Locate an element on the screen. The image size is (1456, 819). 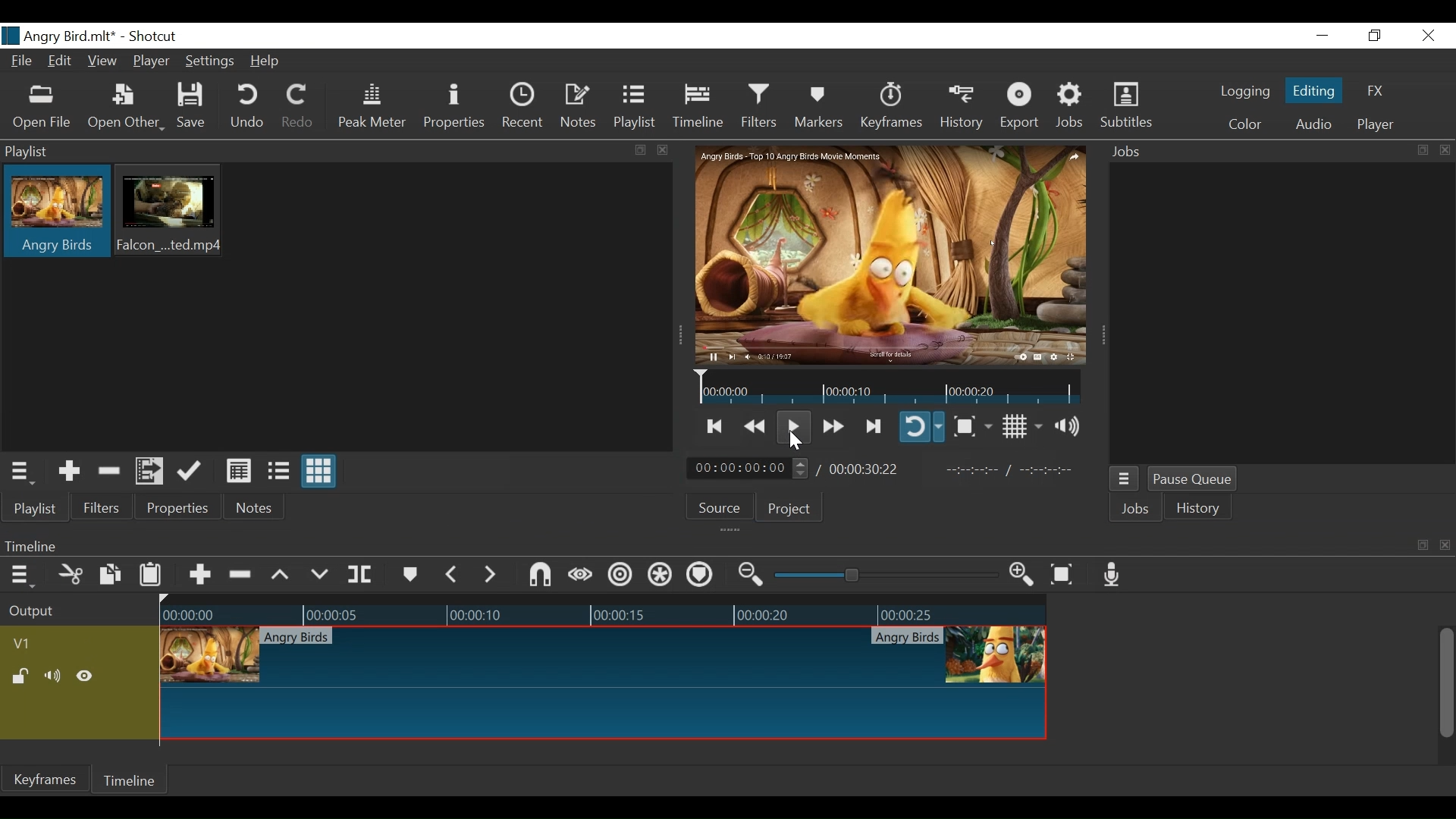
Filters is located at coordinates (104, 509).